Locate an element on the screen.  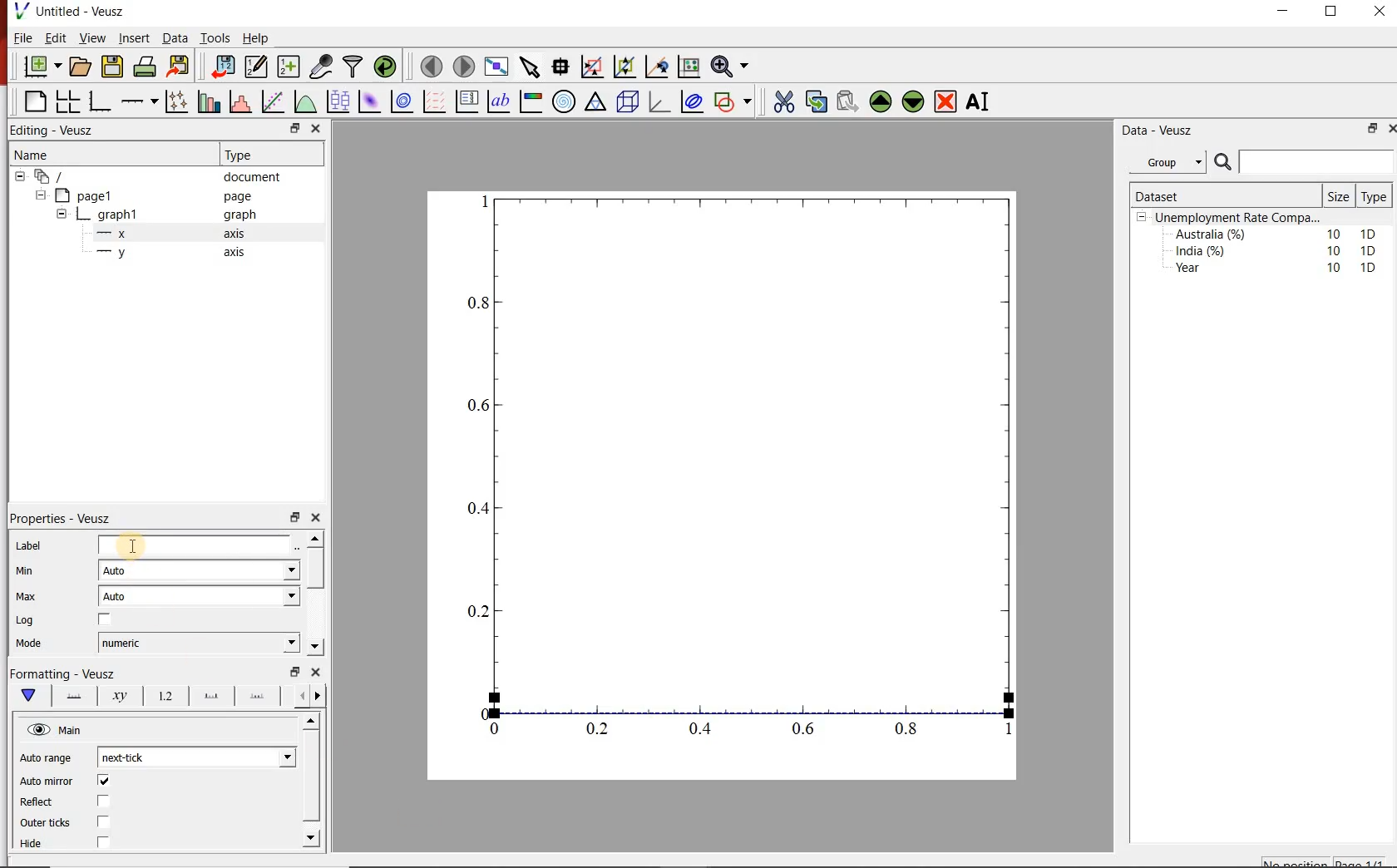
minimise is located at coordinates (1287, 15).